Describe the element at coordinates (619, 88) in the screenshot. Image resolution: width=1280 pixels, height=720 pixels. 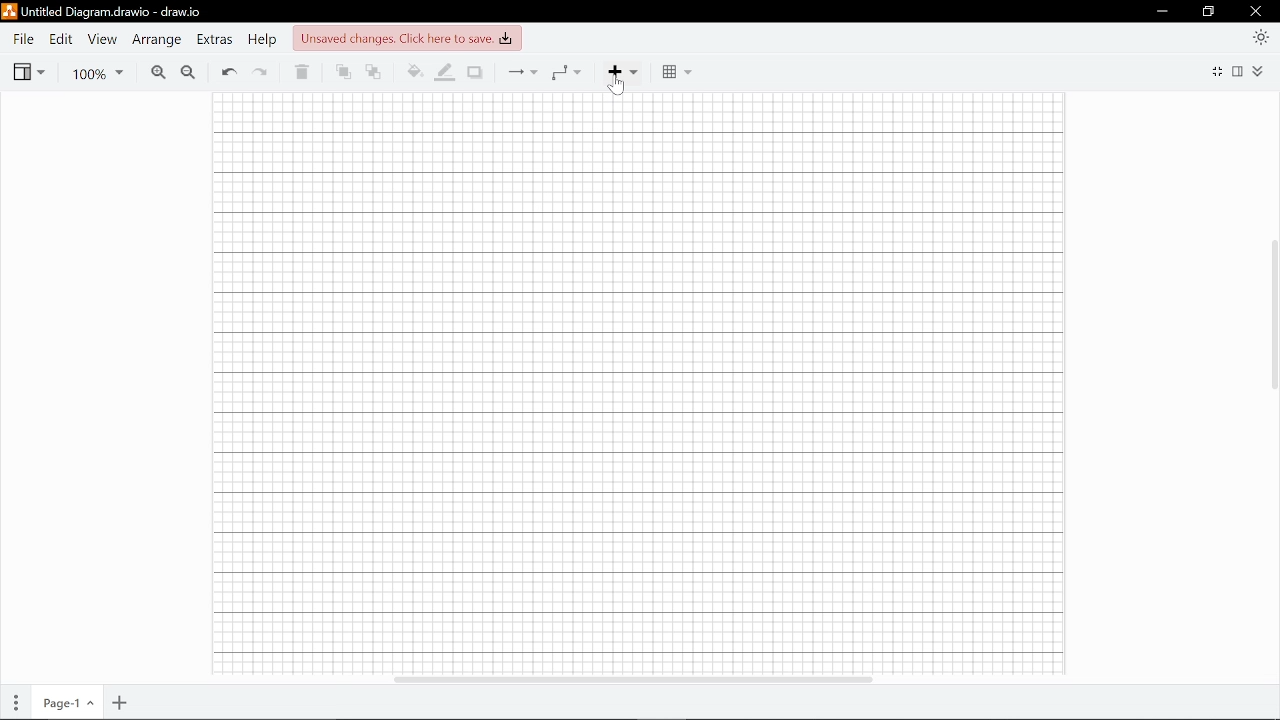
I see `cursor` at that location.